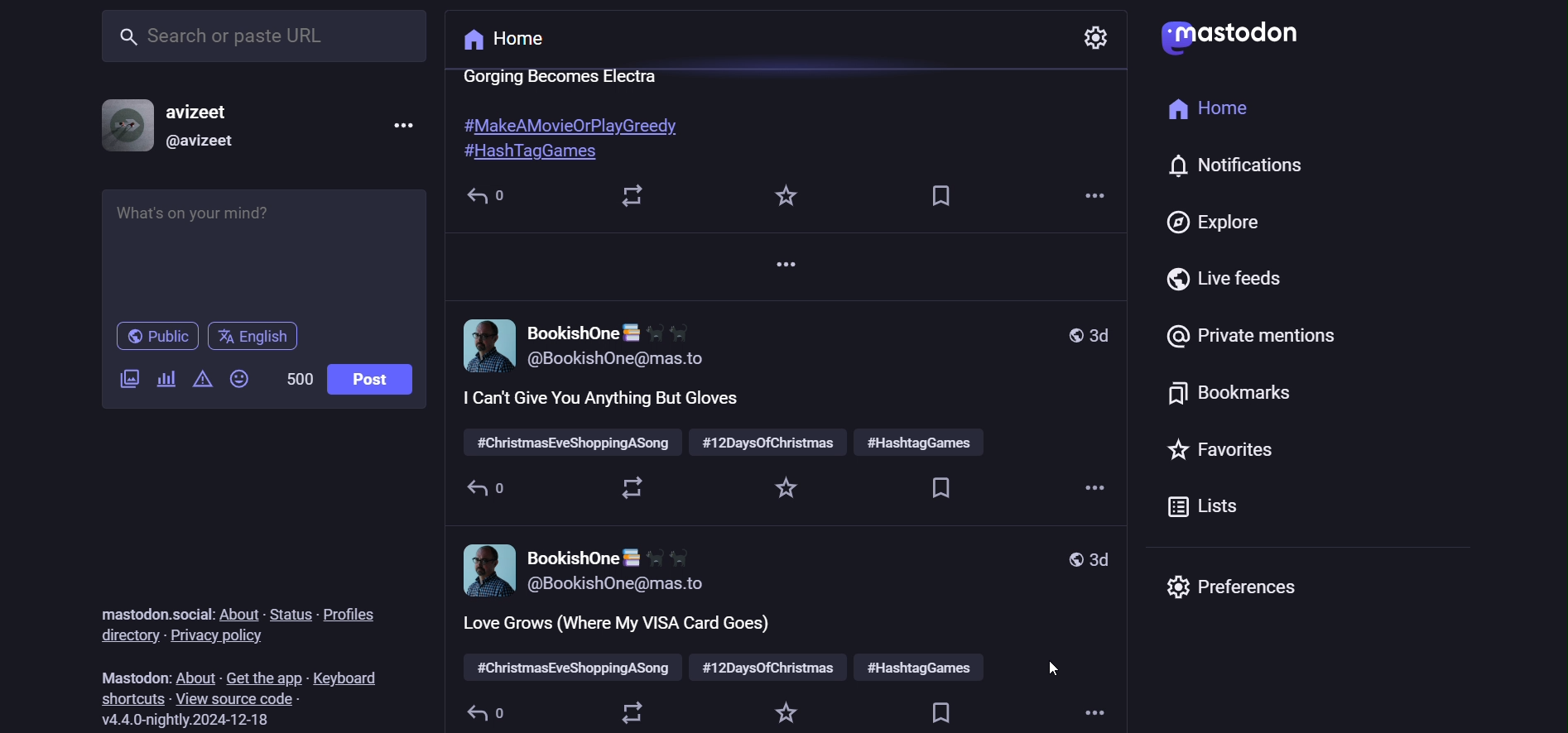 This screenshot has height=733, width=1568. I want to click on directory, so click(125, 635).